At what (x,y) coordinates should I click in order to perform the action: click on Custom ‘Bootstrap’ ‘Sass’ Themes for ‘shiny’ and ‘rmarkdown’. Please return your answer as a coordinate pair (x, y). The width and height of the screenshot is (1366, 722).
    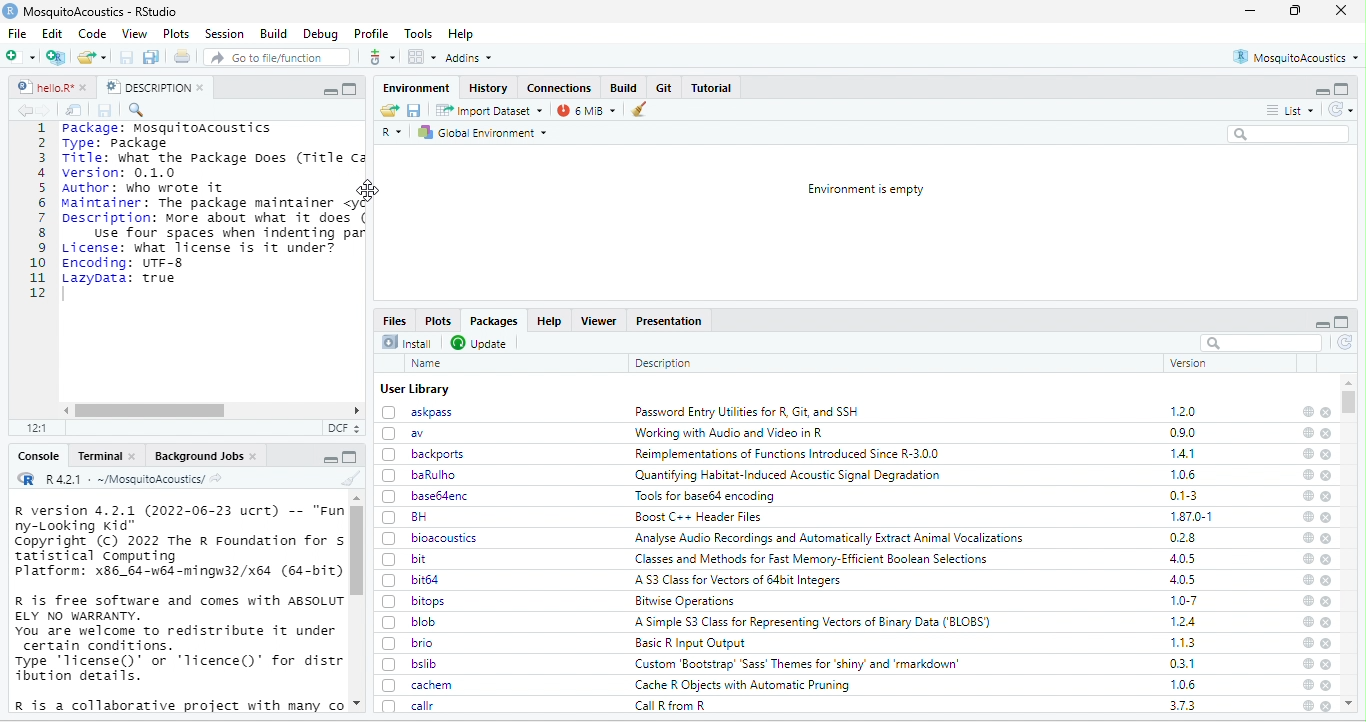
    Looking at the image, I should click on (801, 663).